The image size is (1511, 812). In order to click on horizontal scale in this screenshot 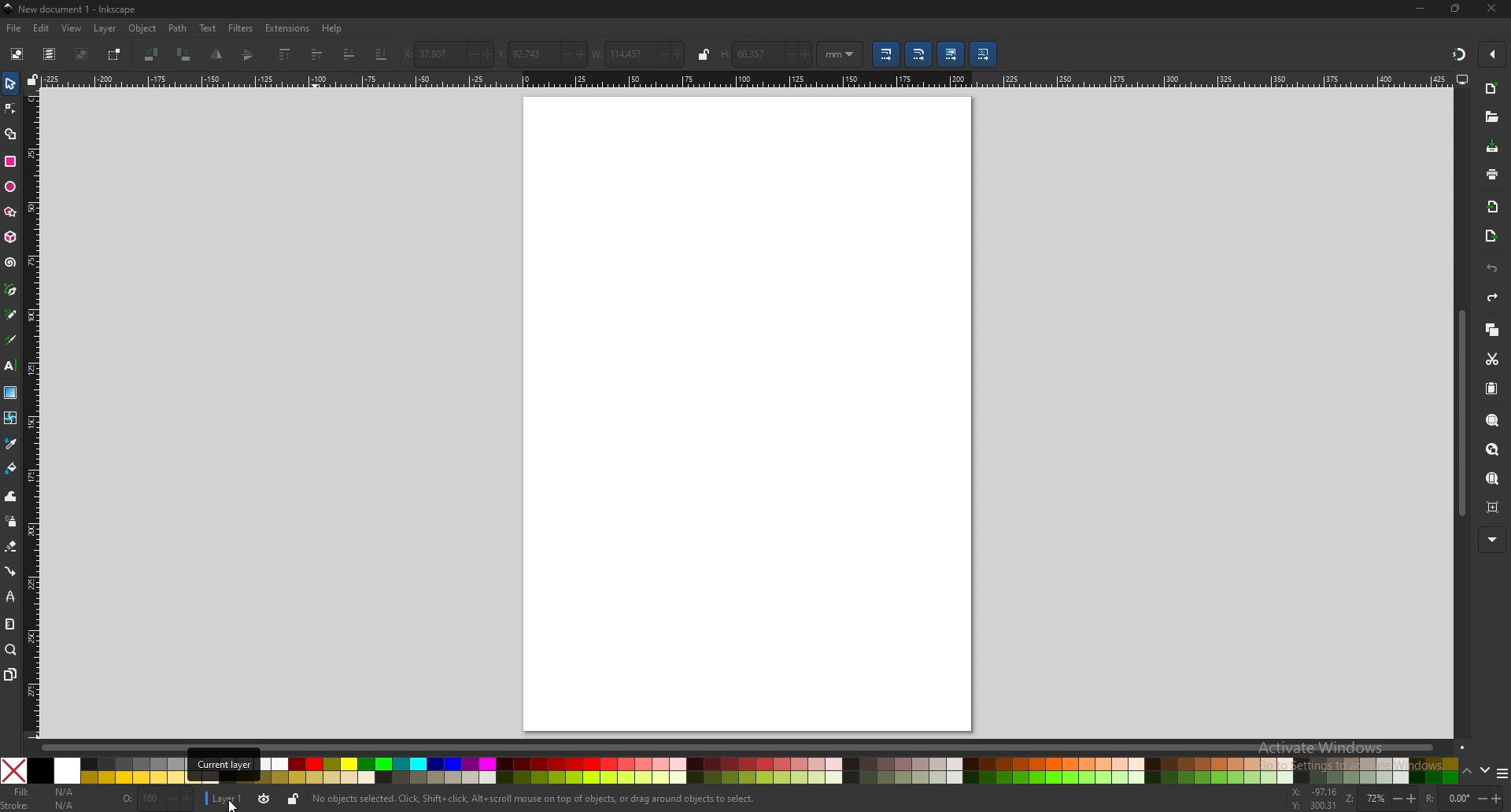, I will do `click(748, 79)`.